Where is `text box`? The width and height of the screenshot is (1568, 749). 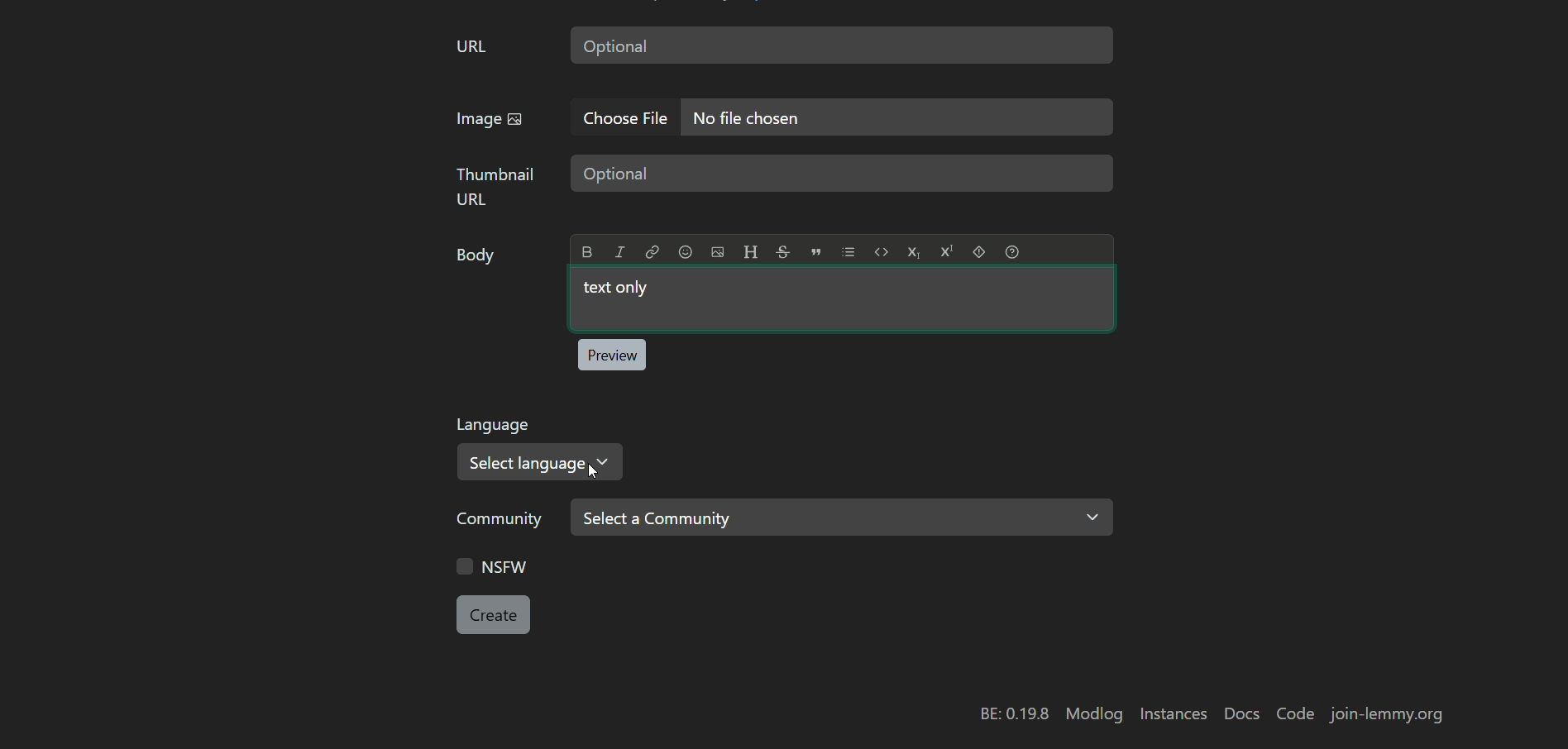 text box is located at coordinates (841, 299).